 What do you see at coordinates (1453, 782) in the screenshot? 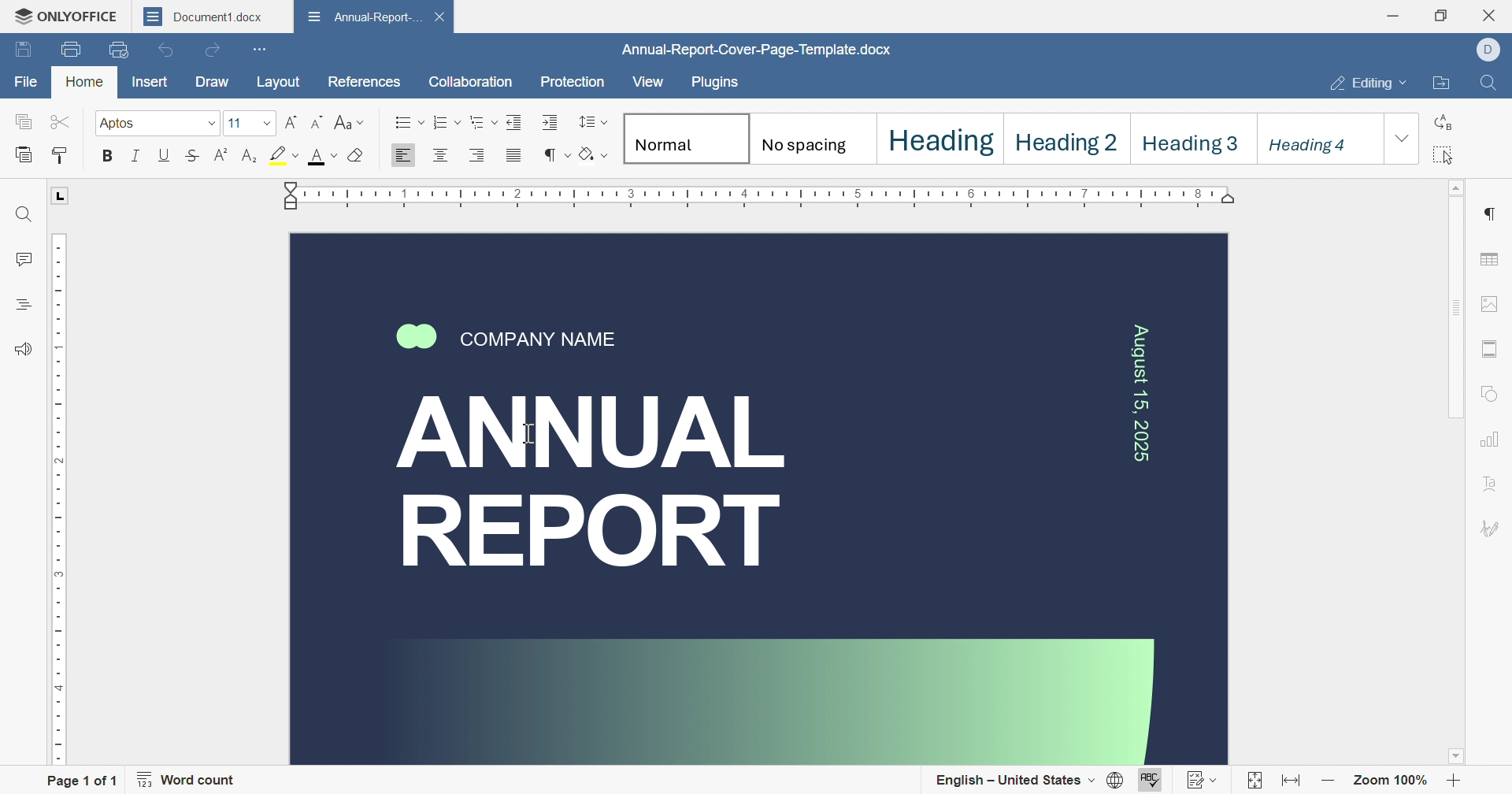
I see `zoom in` at bounding box center [1453, 782].